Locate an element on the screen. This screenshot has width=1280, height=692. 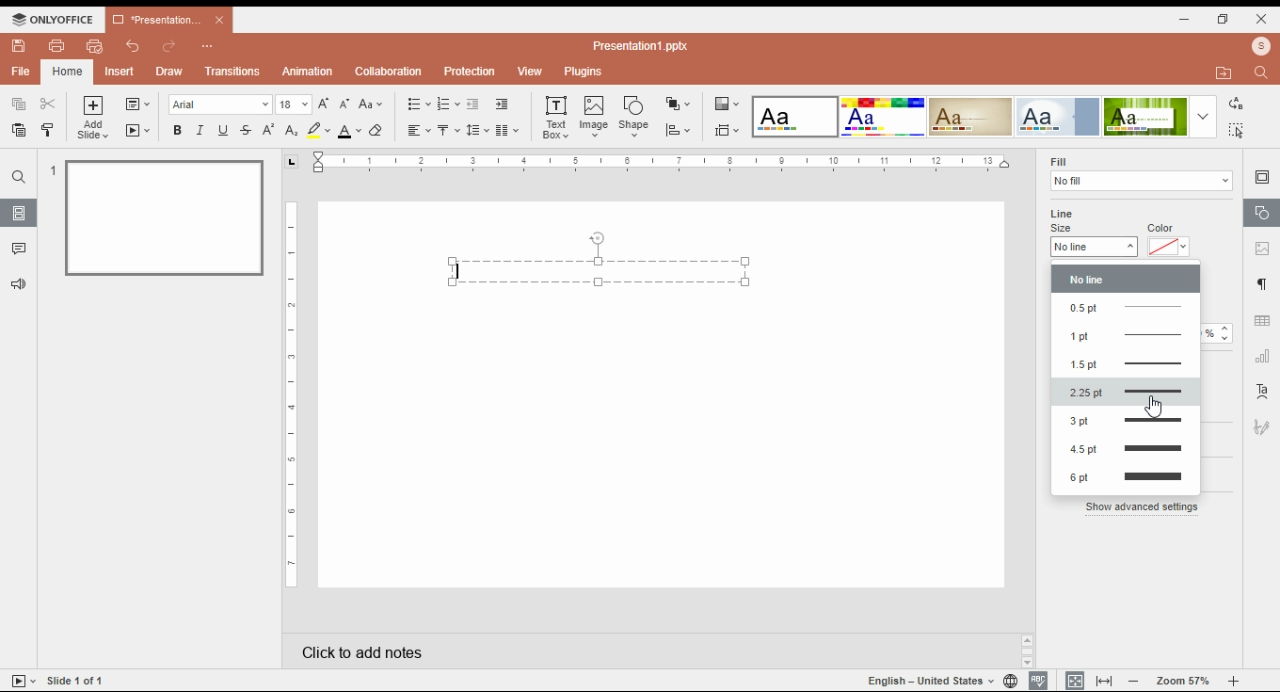
quick print is located at coordinates (95, 45).